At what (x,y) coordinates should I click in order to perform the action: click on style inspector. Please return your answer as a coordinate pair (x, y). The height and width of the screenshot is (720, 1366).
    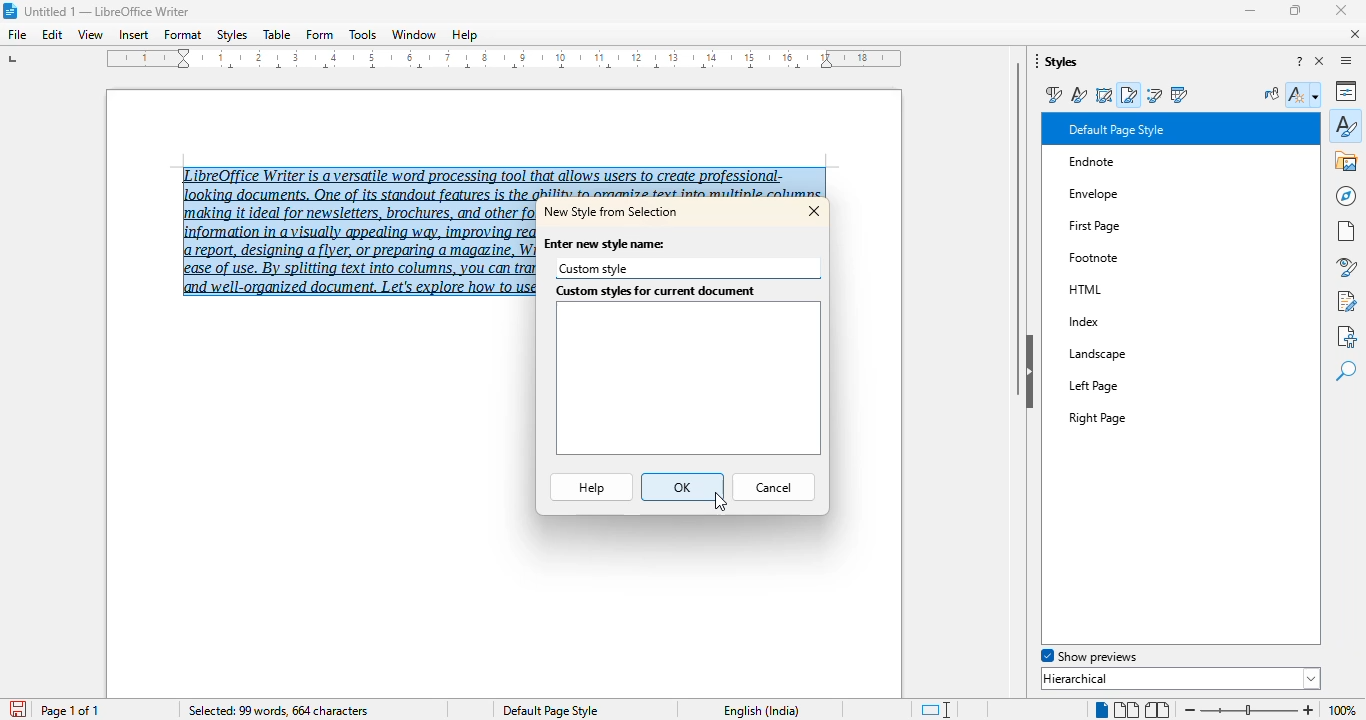
    Looking at the image, I should click on (1343, 268).